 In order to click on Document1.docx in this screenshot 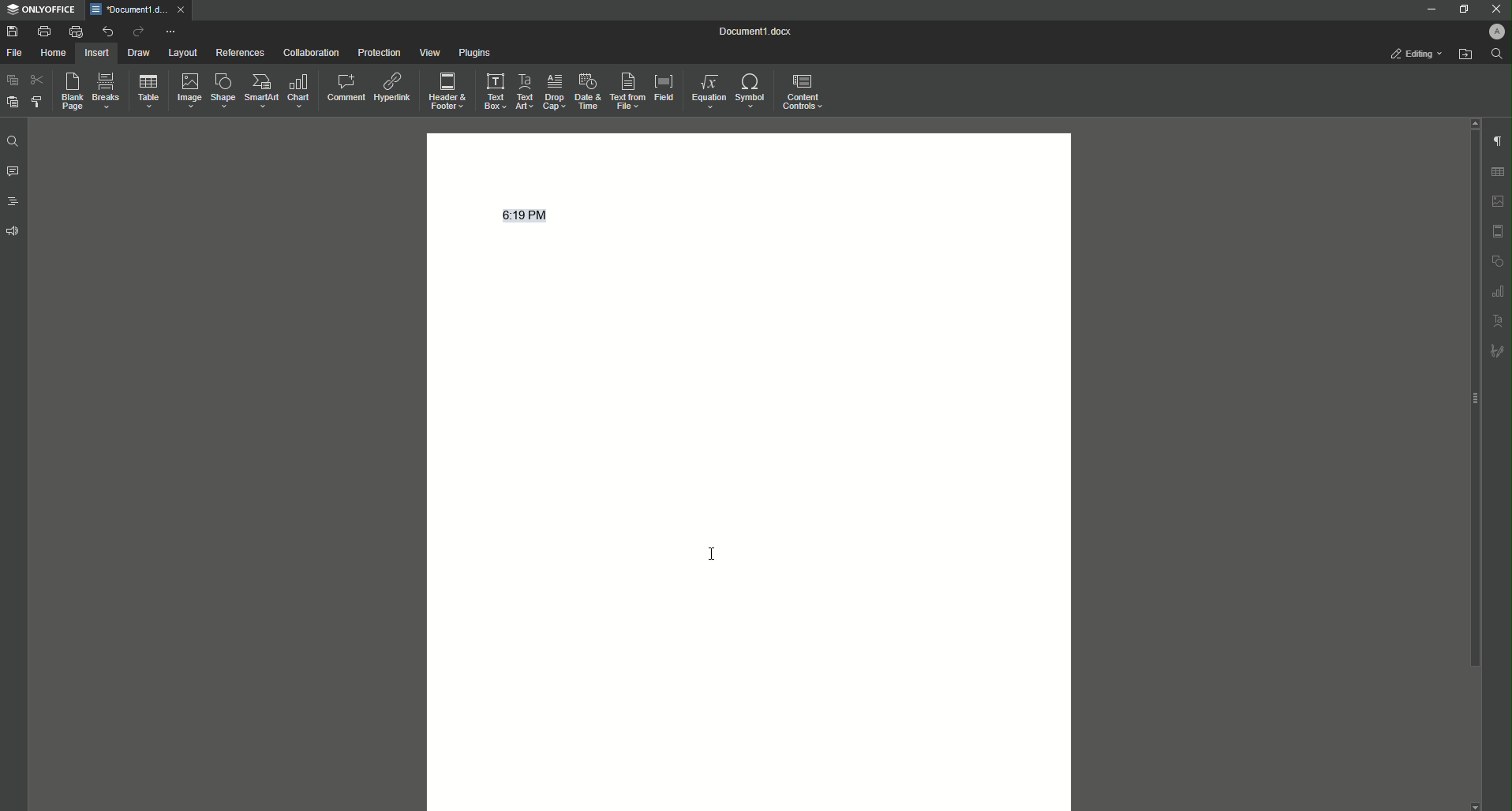, I will do `click(757, 32)`.